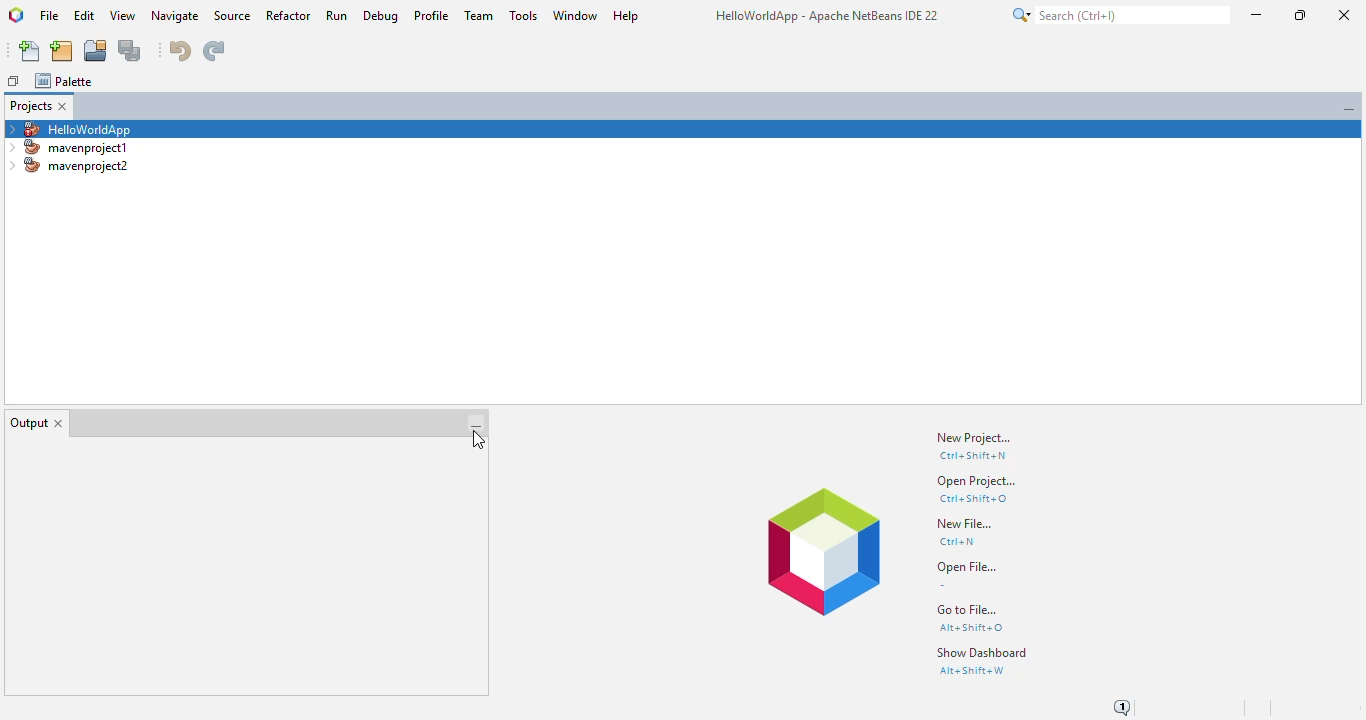  Describe the element at coordinates (476, 424) in the screenshot. I see `minimize window group` at that location.